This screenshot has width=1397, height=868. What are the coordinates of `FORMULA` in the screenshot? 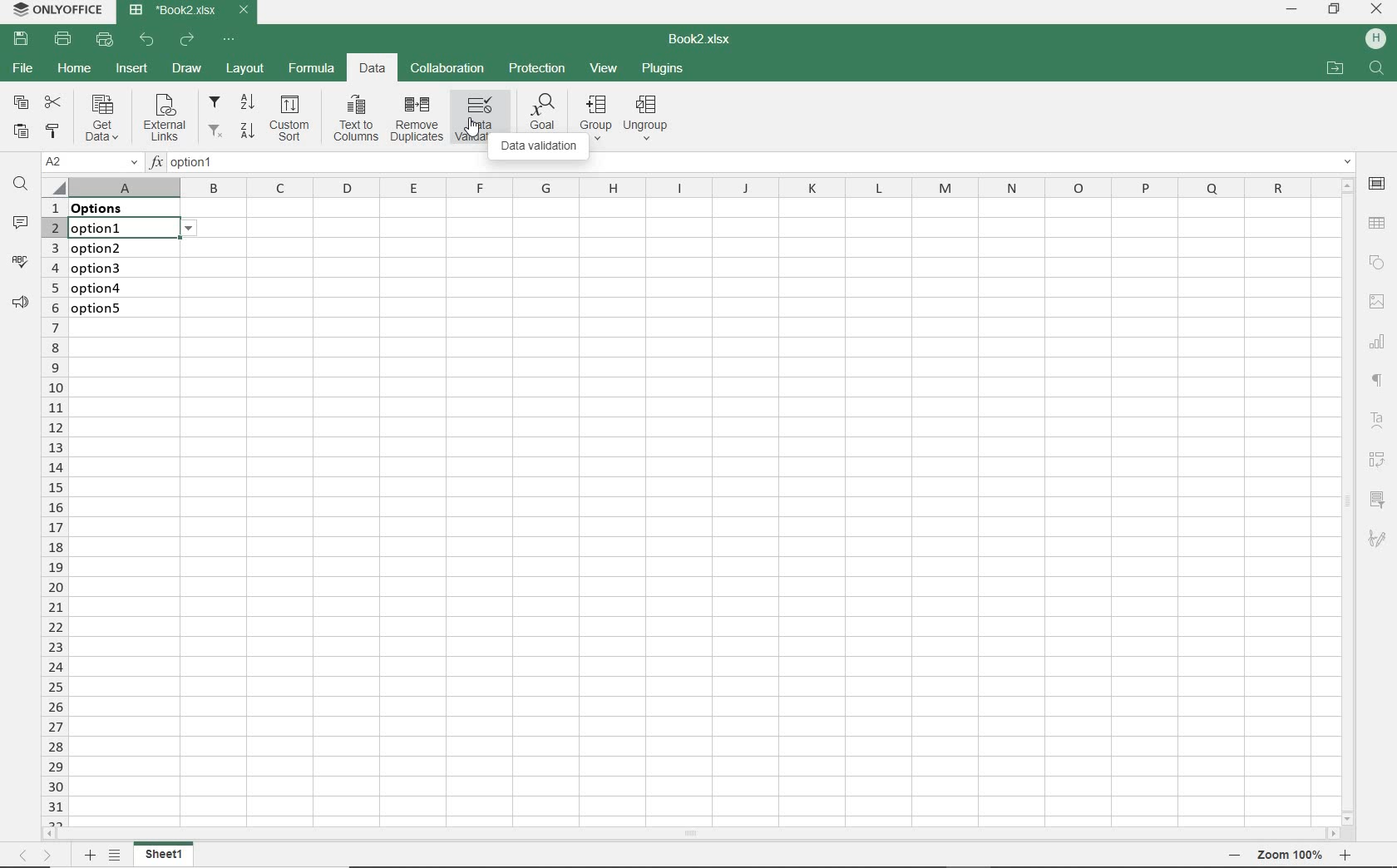 It's located at (309, 70).